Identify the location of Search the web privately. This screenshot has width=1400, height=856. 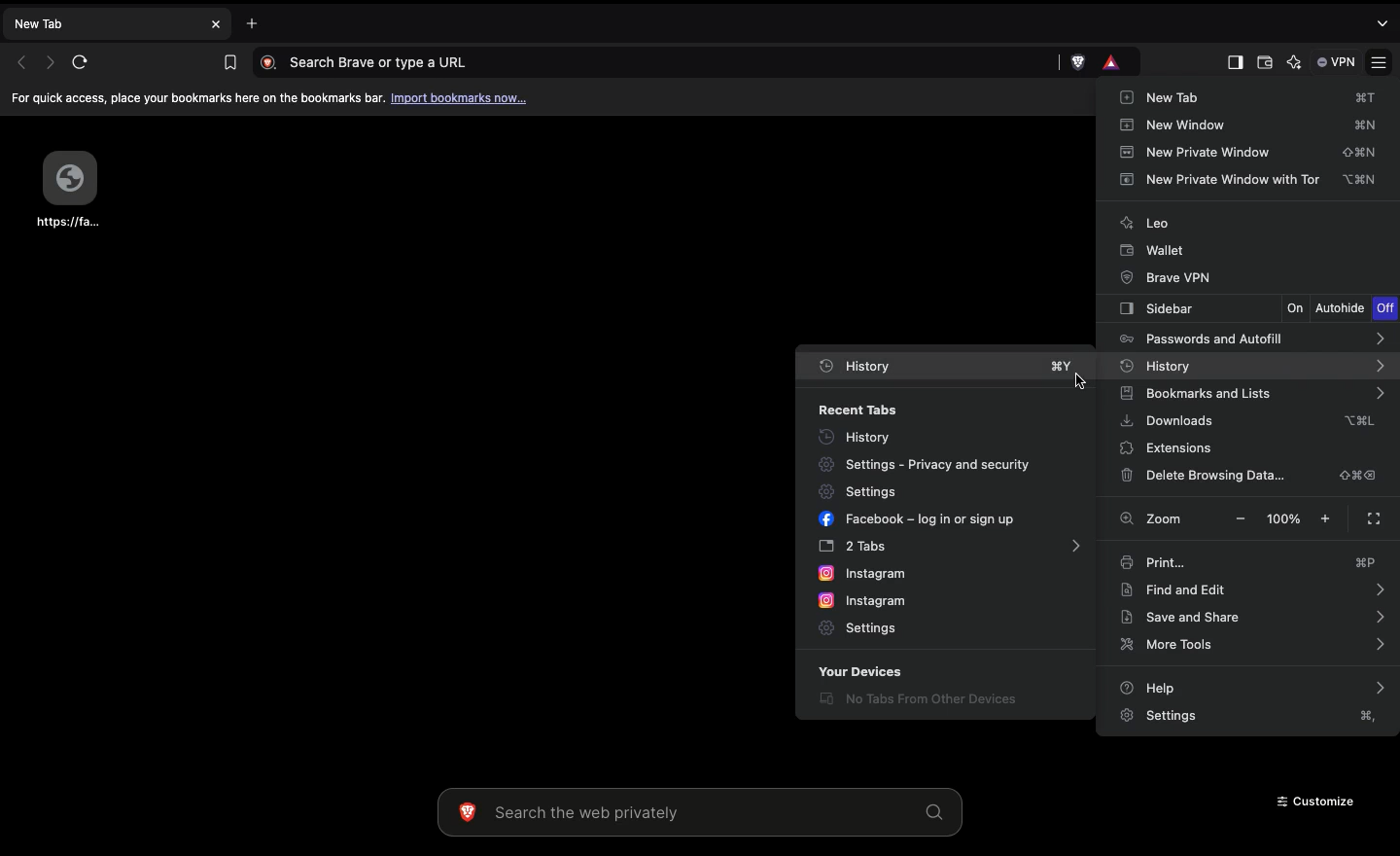
(693, 812).